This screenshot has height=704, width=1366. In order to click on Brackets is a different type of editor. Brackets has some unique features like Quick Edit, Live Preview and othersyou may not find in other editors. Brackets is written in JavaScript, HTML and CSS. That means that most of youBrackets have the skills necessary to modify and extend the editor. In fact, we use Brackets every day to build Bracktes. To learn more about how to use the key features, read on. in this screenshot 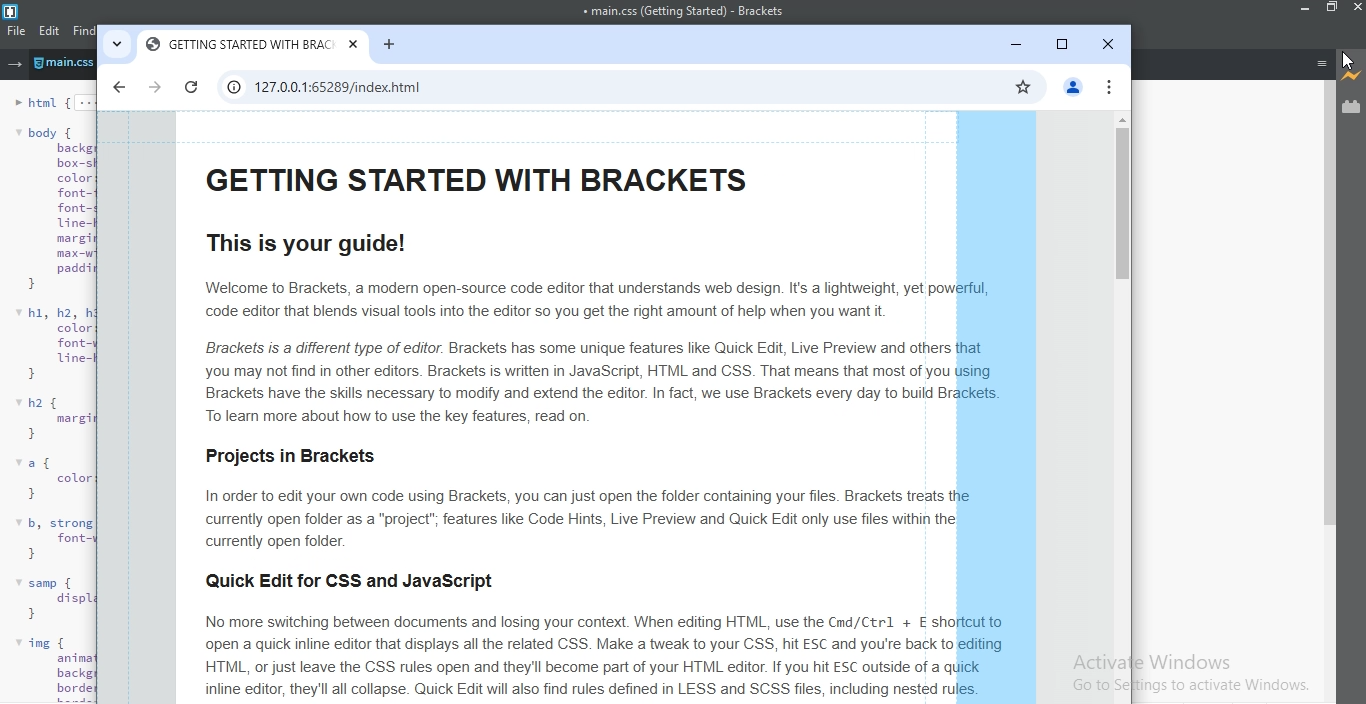, I will do `click(601, 382)`.